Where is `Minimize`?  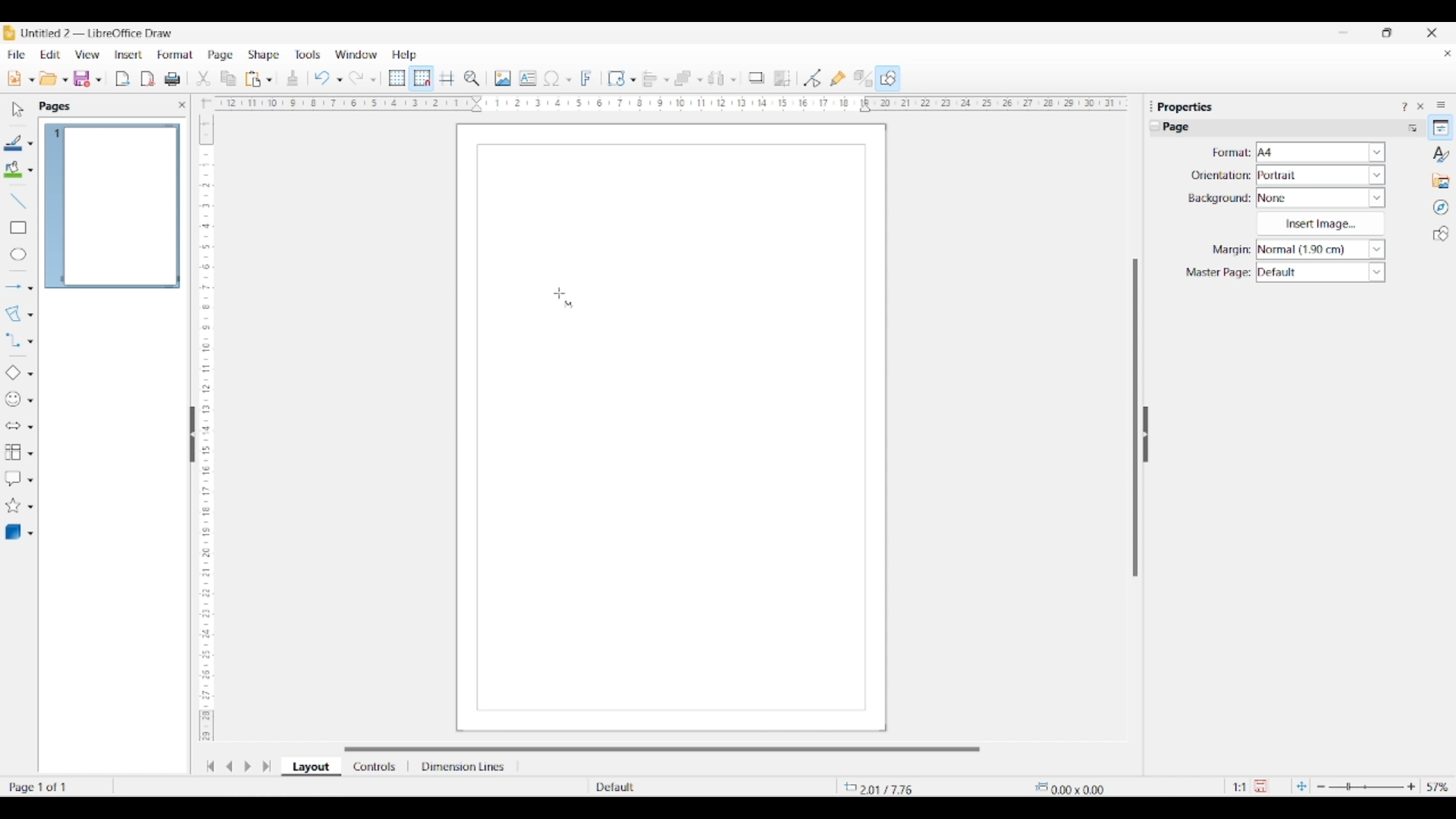
Minimize is located at coordinates (1344, 33).